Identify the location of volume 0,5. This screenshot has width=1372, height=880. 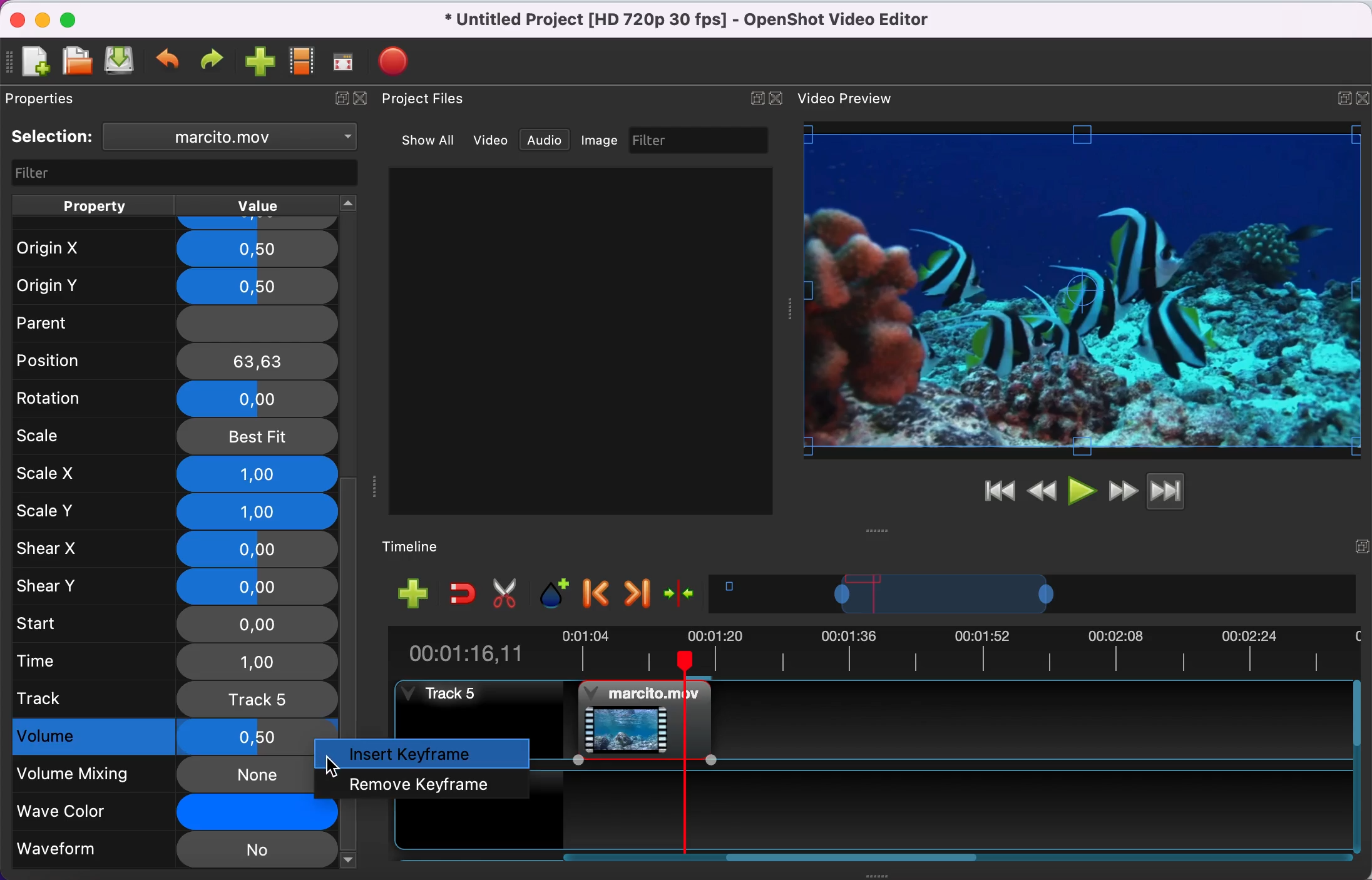
(153, 738).